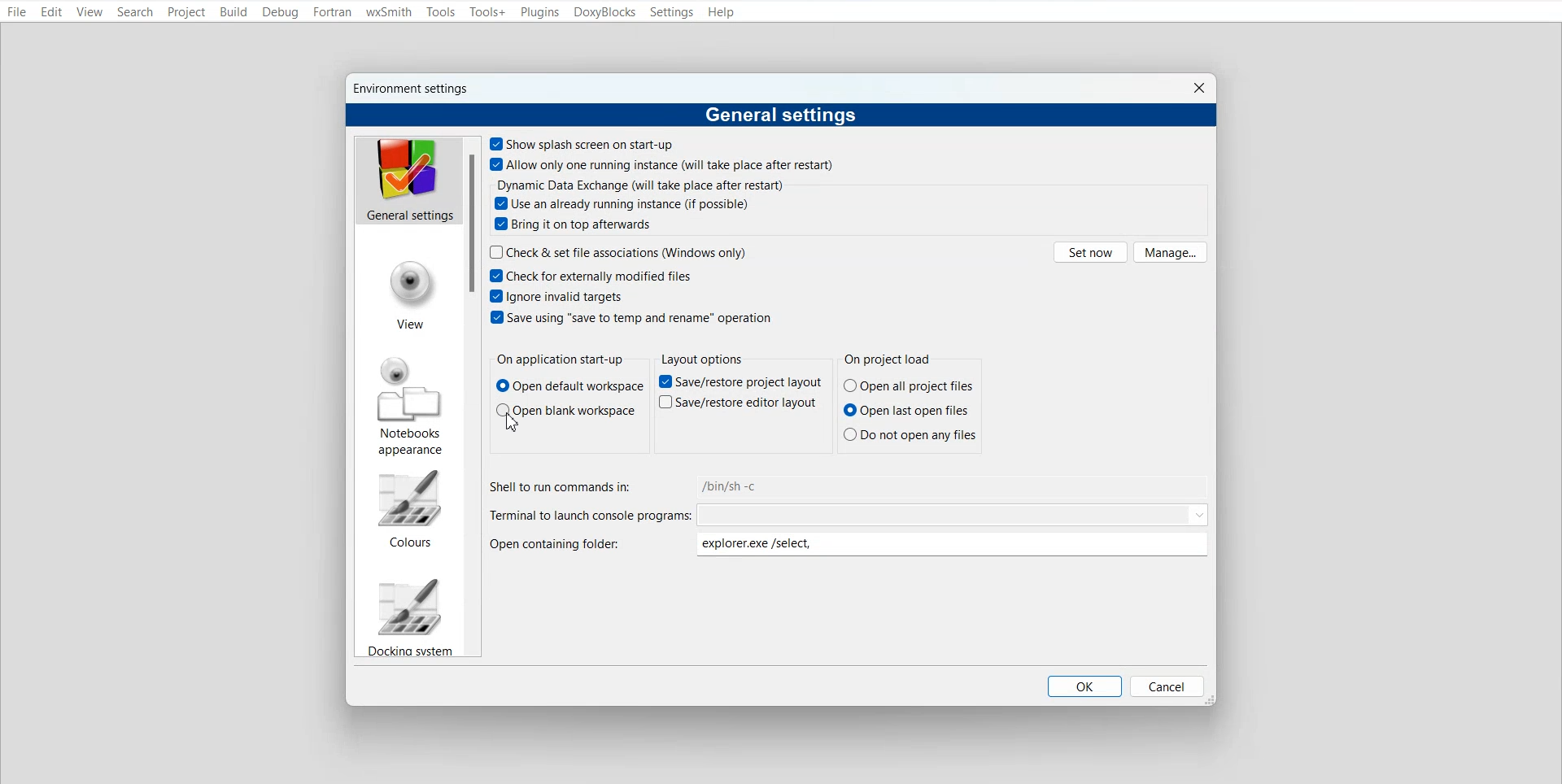  What do you see at coordinates (909, 385) in the screenshot?
I see `Open all project files` at bounding box center [909, 385].